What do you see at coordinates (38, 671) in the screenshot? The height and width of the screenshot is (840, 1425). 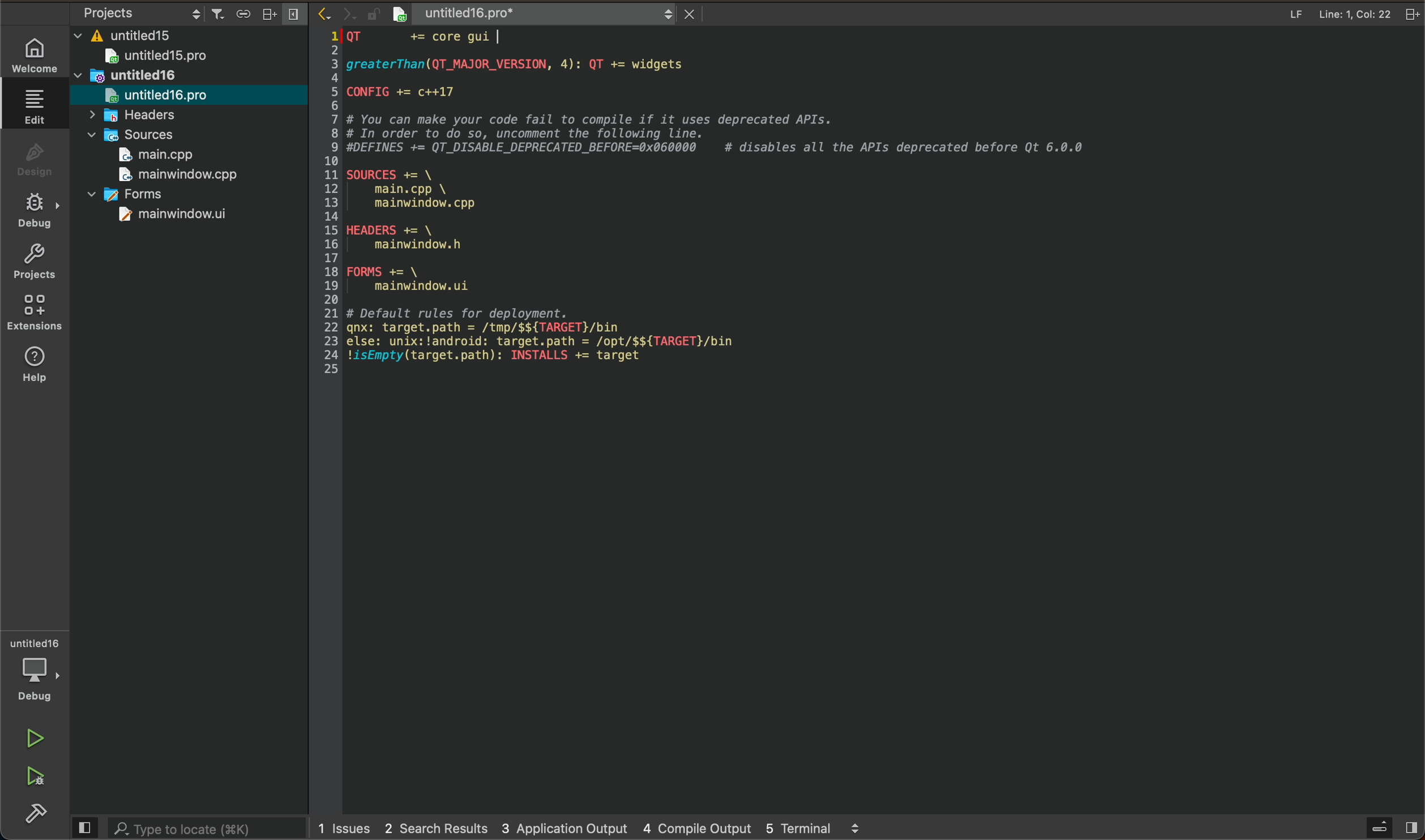 I see `debugger` at bounding box center [38, 671].